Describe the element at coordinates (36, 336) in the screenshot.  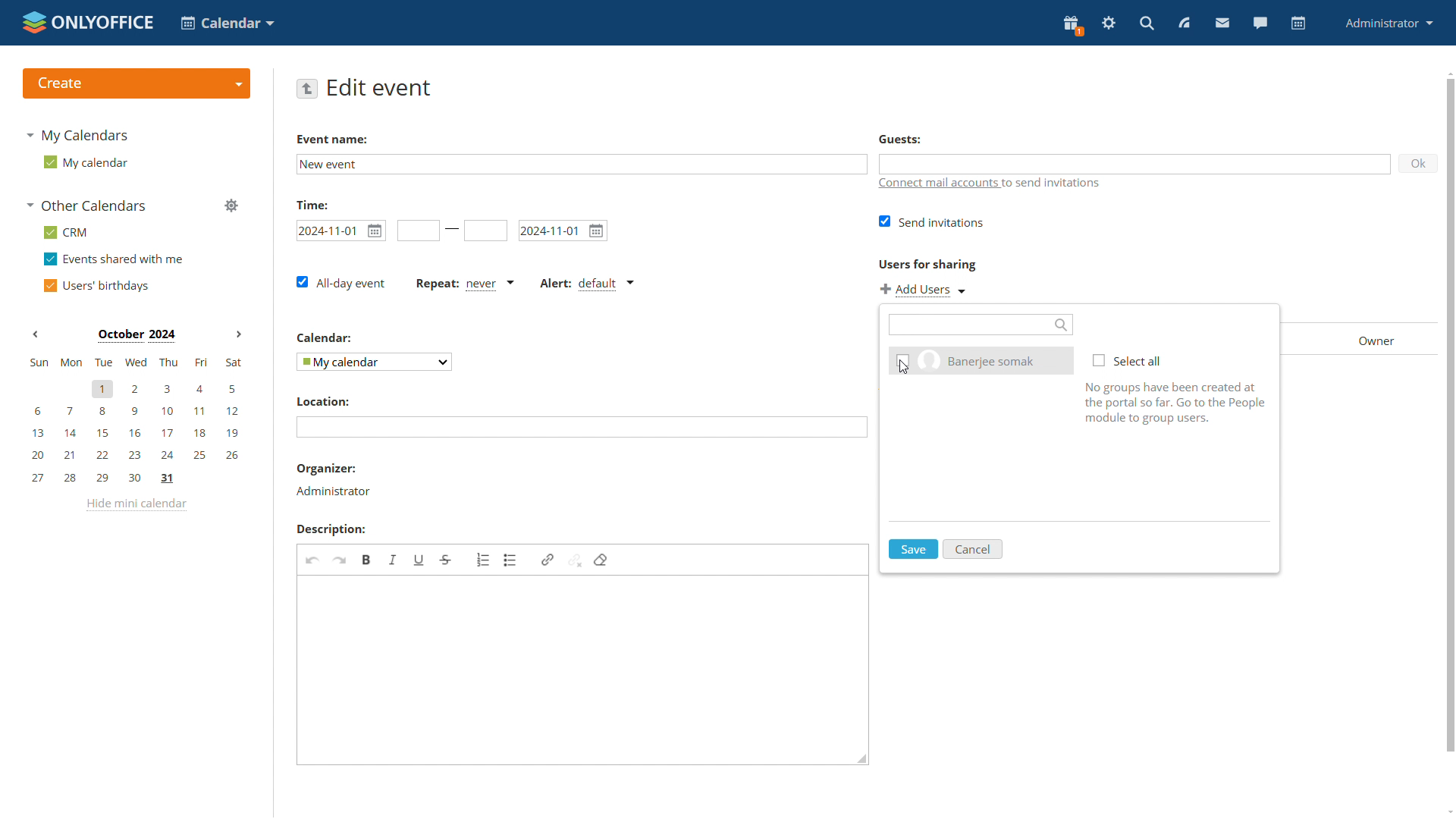
I see `Previous month` at that location.